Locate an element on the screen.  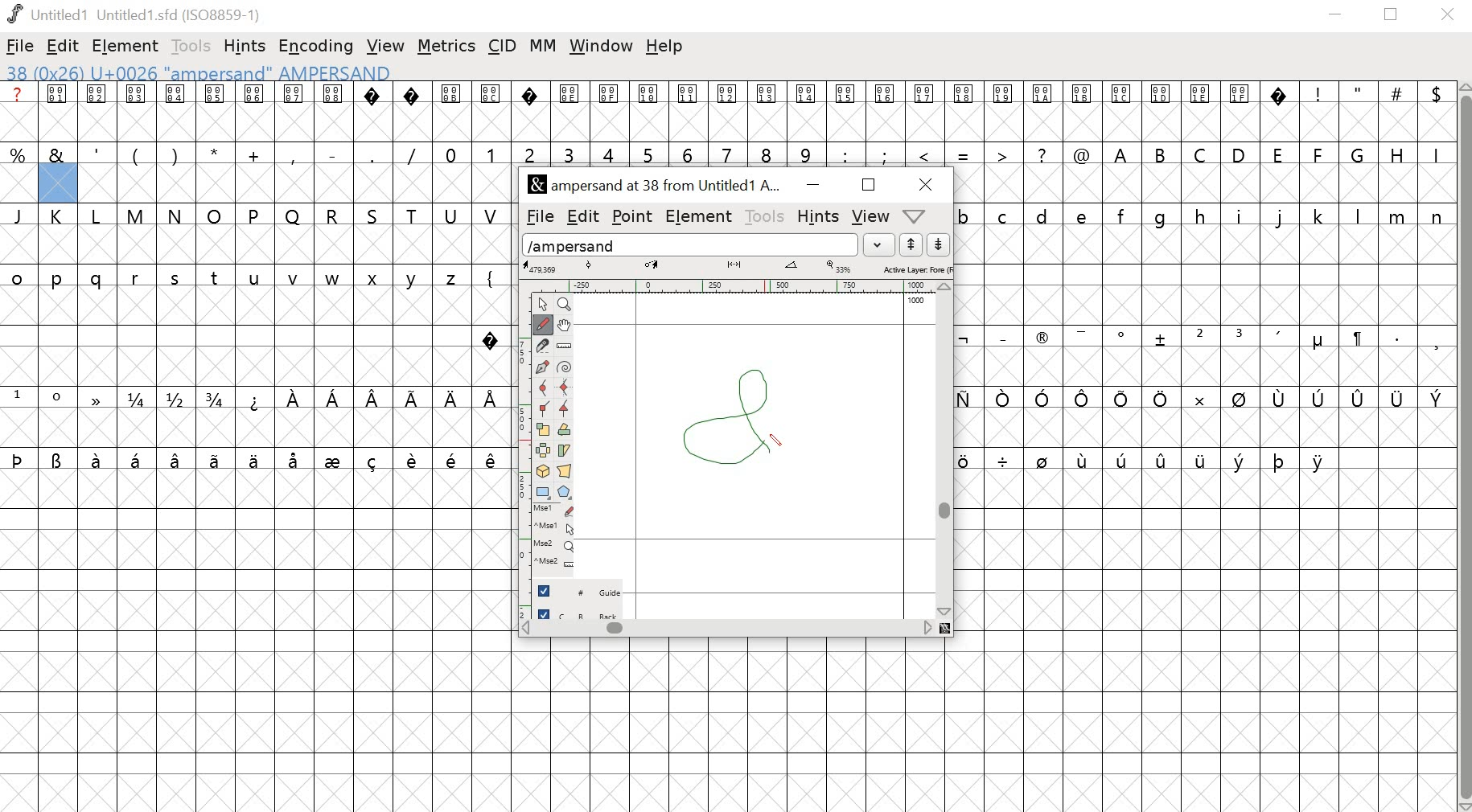
symbol is located at coordinates (1280, 460).